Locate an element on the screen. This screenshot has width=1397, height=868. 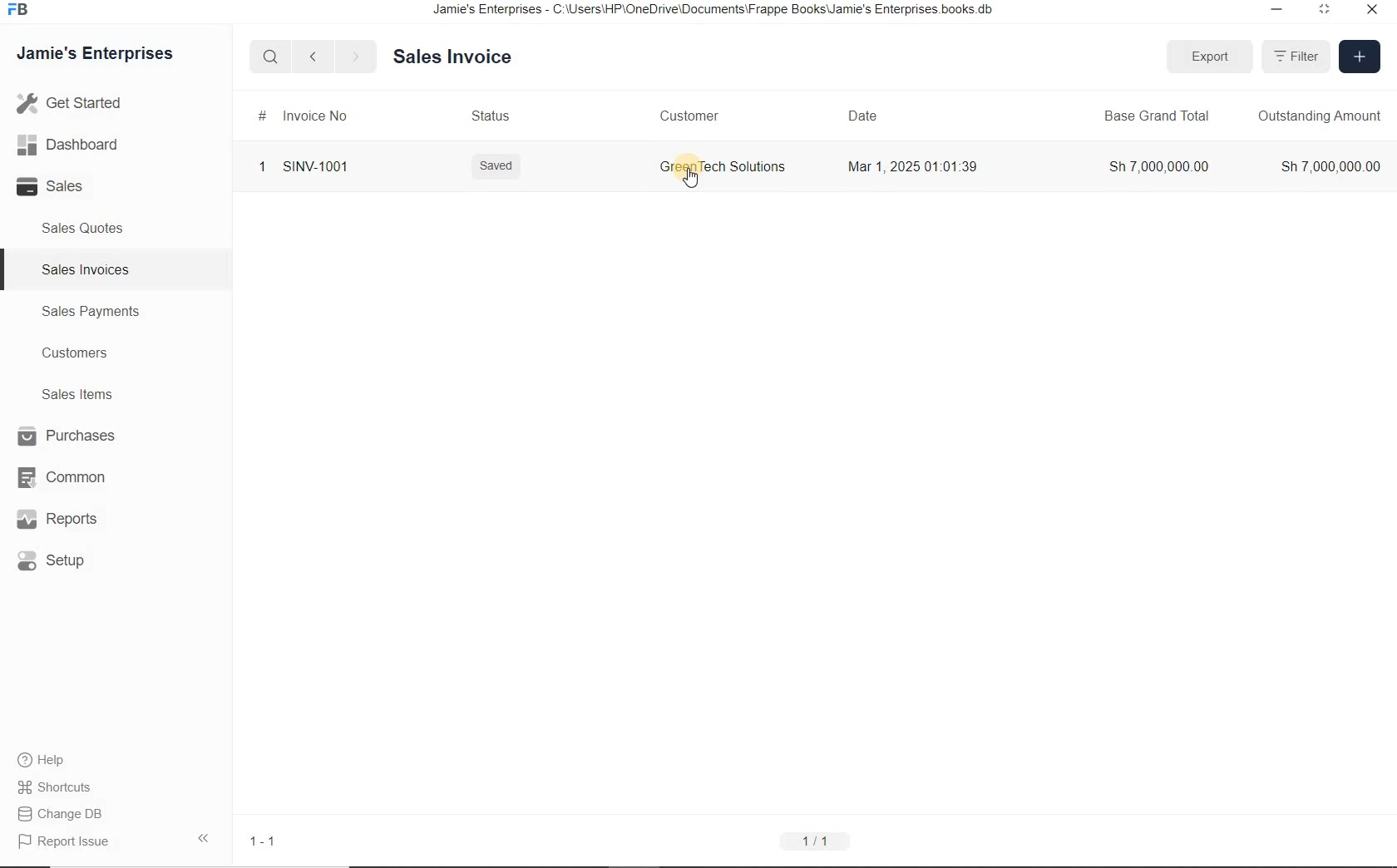
cursor is located at coordinates (694, 180).